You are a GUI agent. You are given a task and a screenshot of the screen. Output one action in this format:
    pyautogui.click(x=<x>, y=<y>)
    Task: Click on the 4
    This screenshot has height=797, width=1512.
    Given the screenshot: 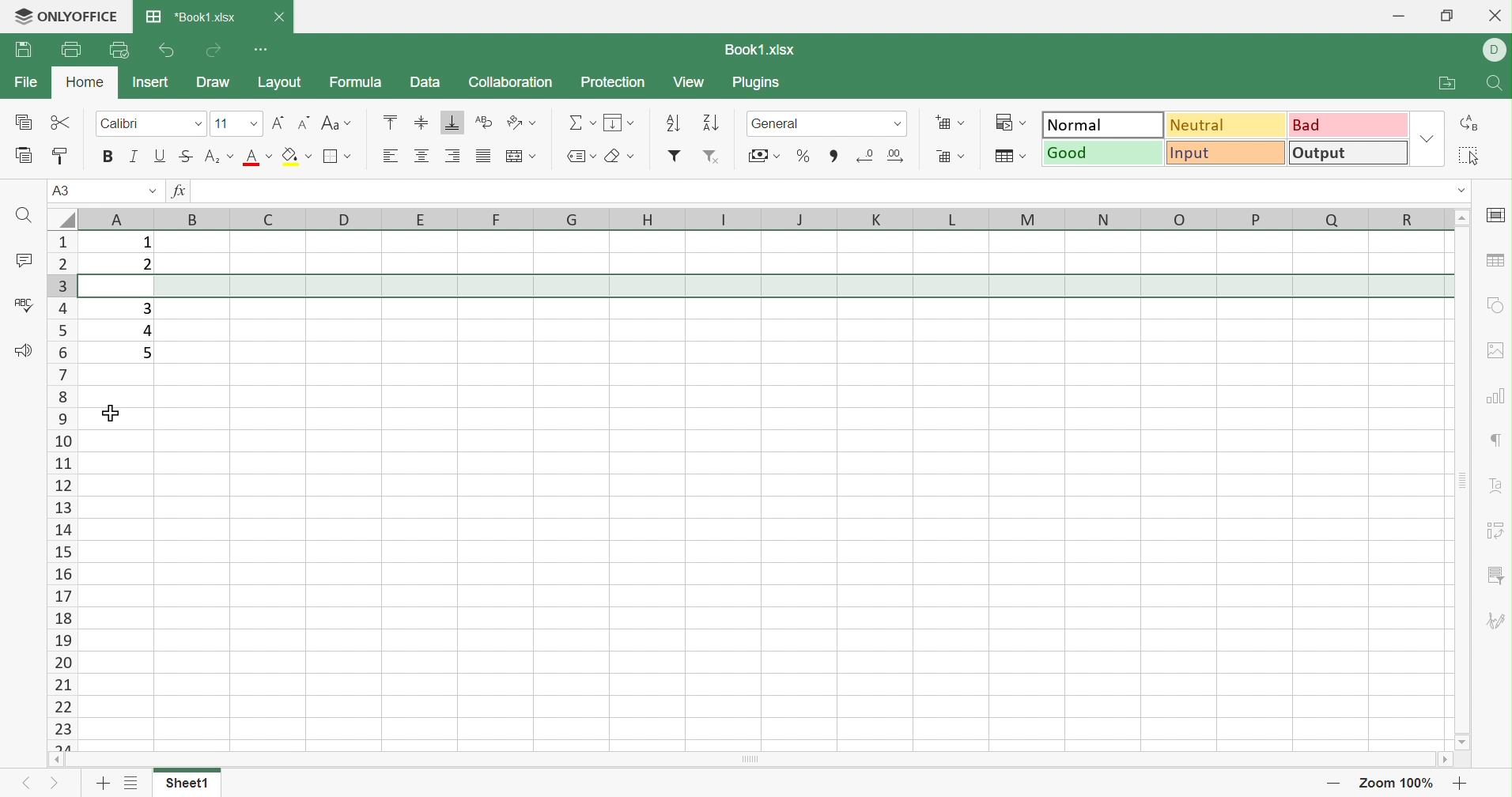 What is the action you would take?
    pyautogui.click(x=145, y=331)
    